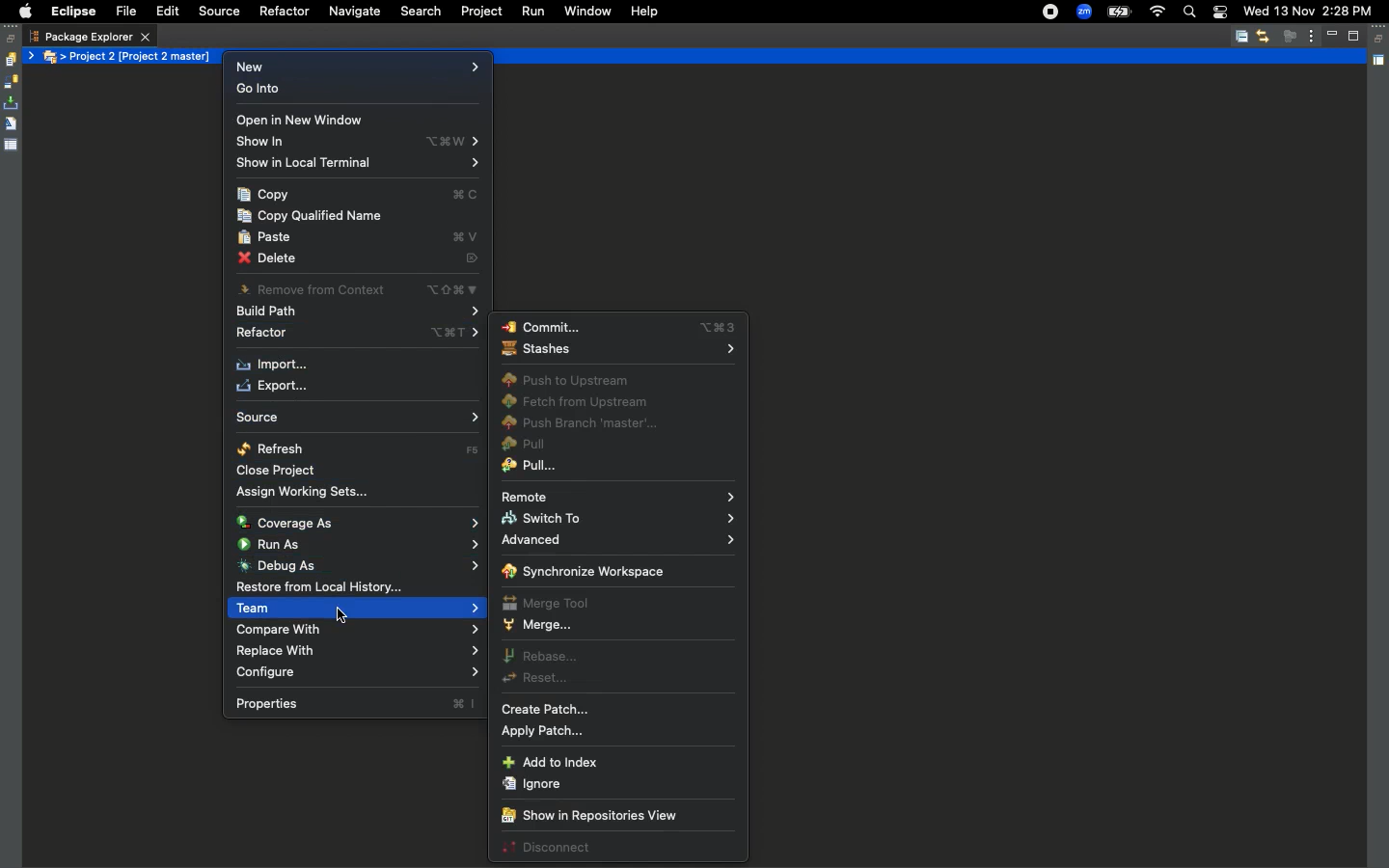  Describe the element at coordinates (302, 121) in the screenshot. I see `Open in new window` at that location.